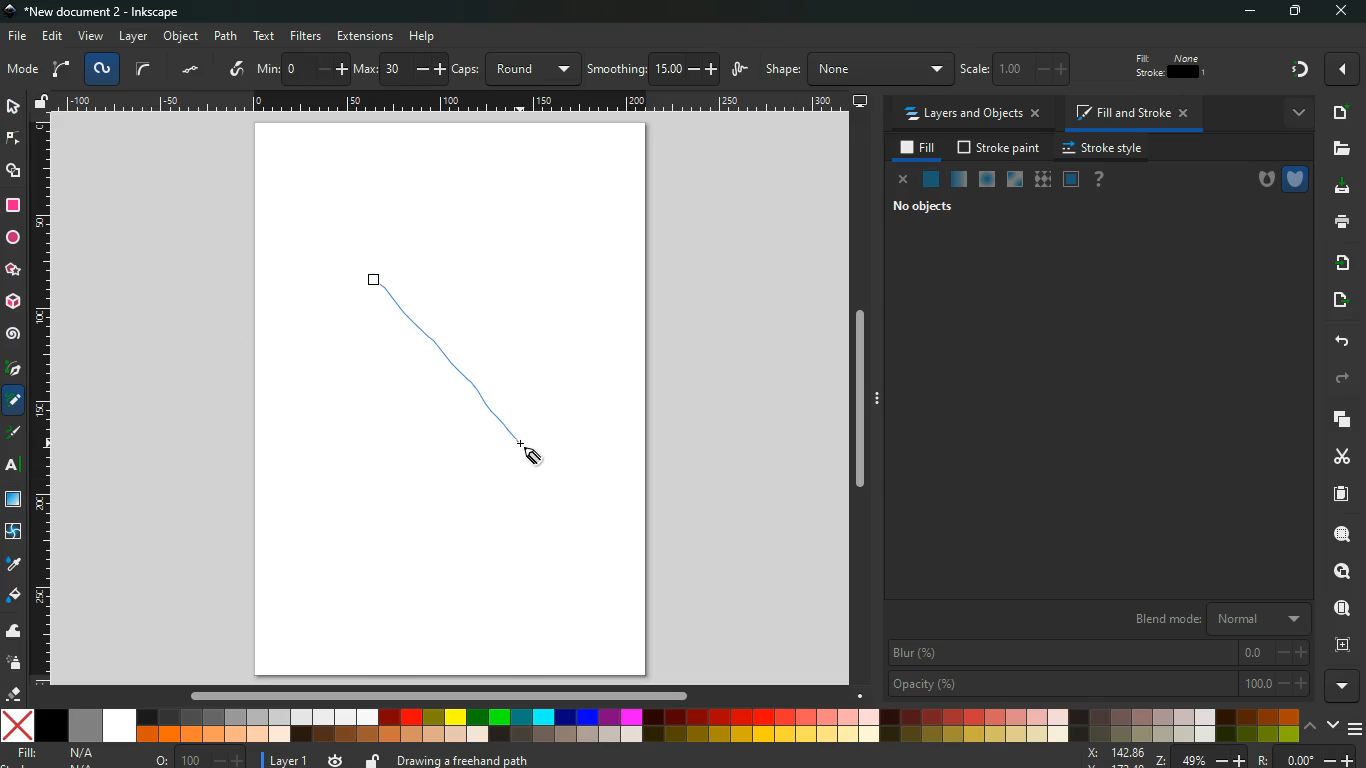 The width and height of the screenshot is (1366, 768). Describe the element at coordinates (1337, 149) in the screenshot. I see `files` at that location.